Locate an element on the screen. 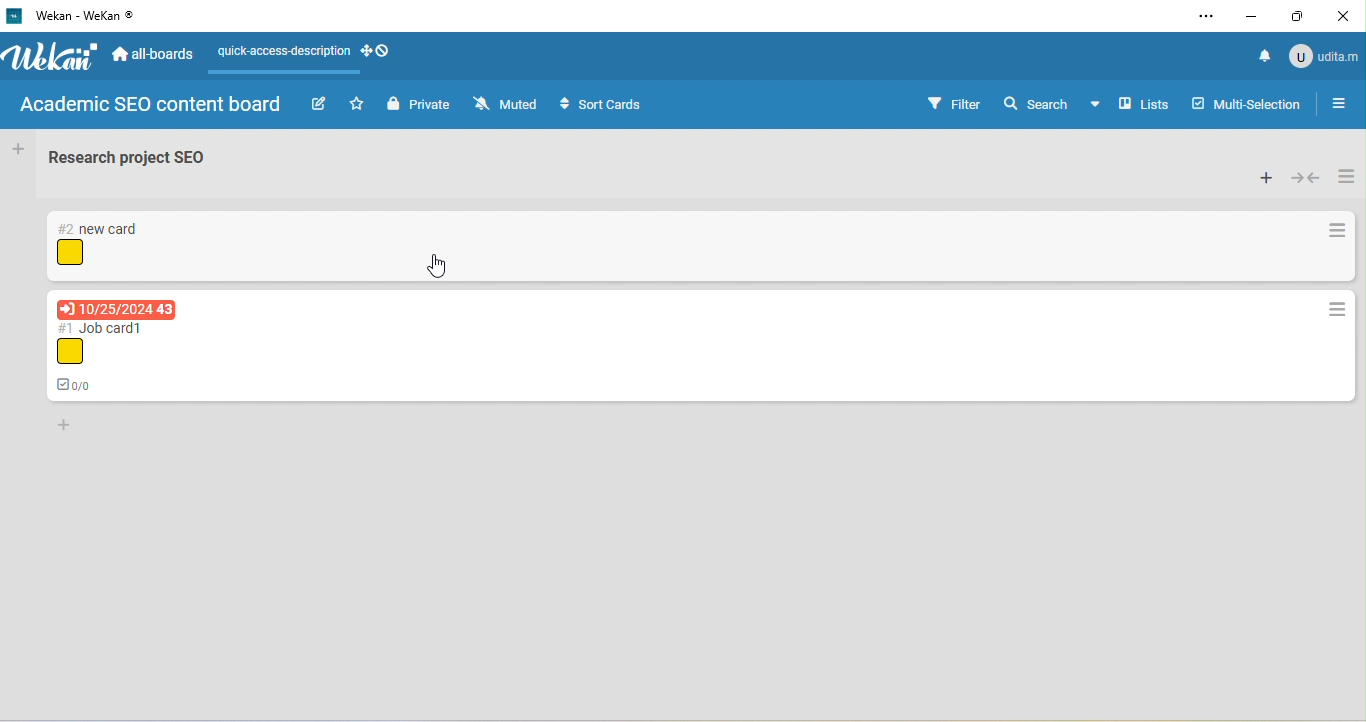 This screenshot has height=722, width=1366. board view is located at coordinates (1131, 104).